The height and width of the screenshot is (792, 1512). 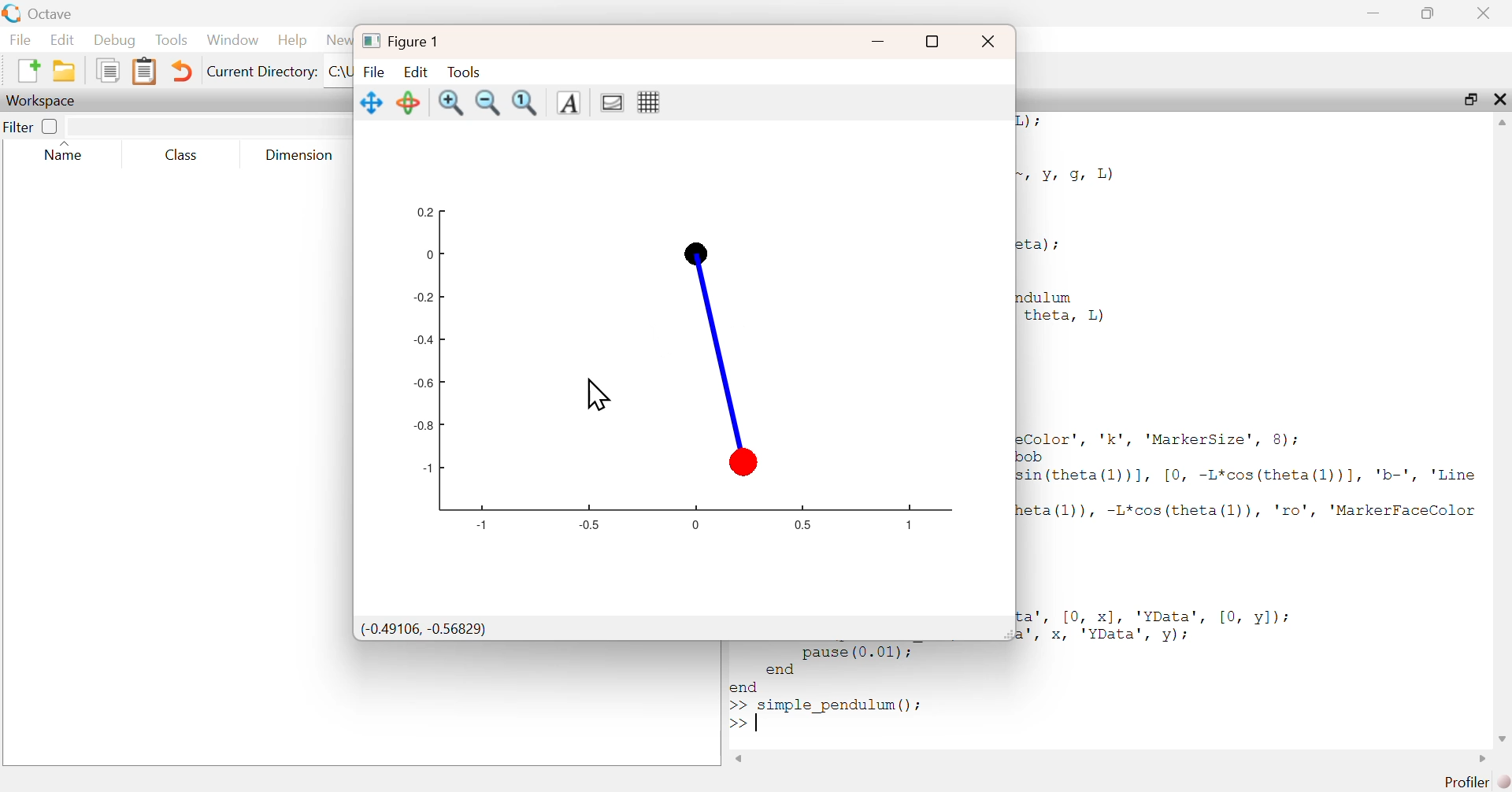 What do you see at coordinates (177, 156) in the screenshot?
I see `Class` at bounding box center [177, 156].